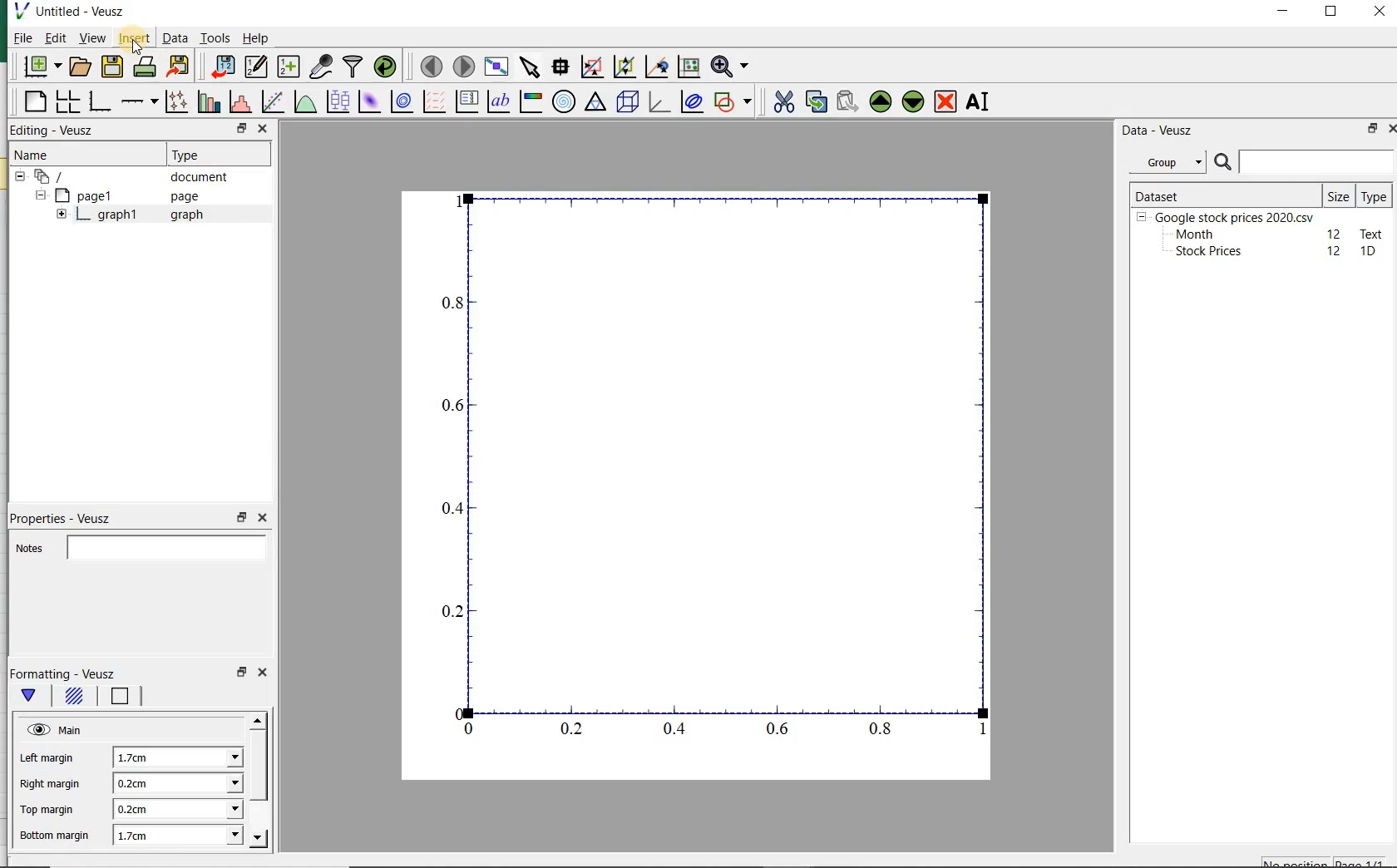 The height and width of the screenshot is (868, 1397). I want to click on restore, so click(241, 672).